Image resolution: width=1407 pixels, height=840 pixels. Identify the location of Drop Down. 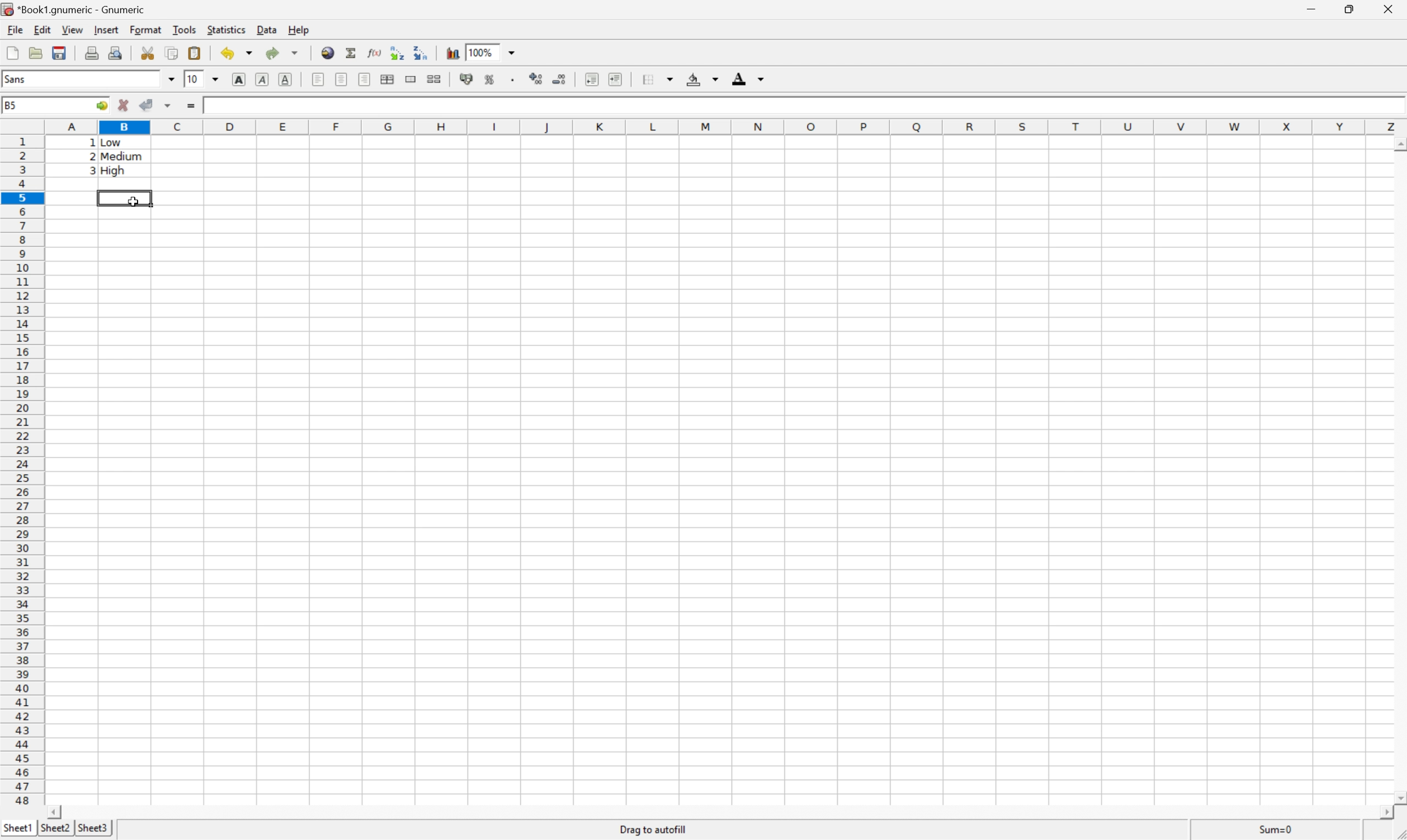
(215, 80).